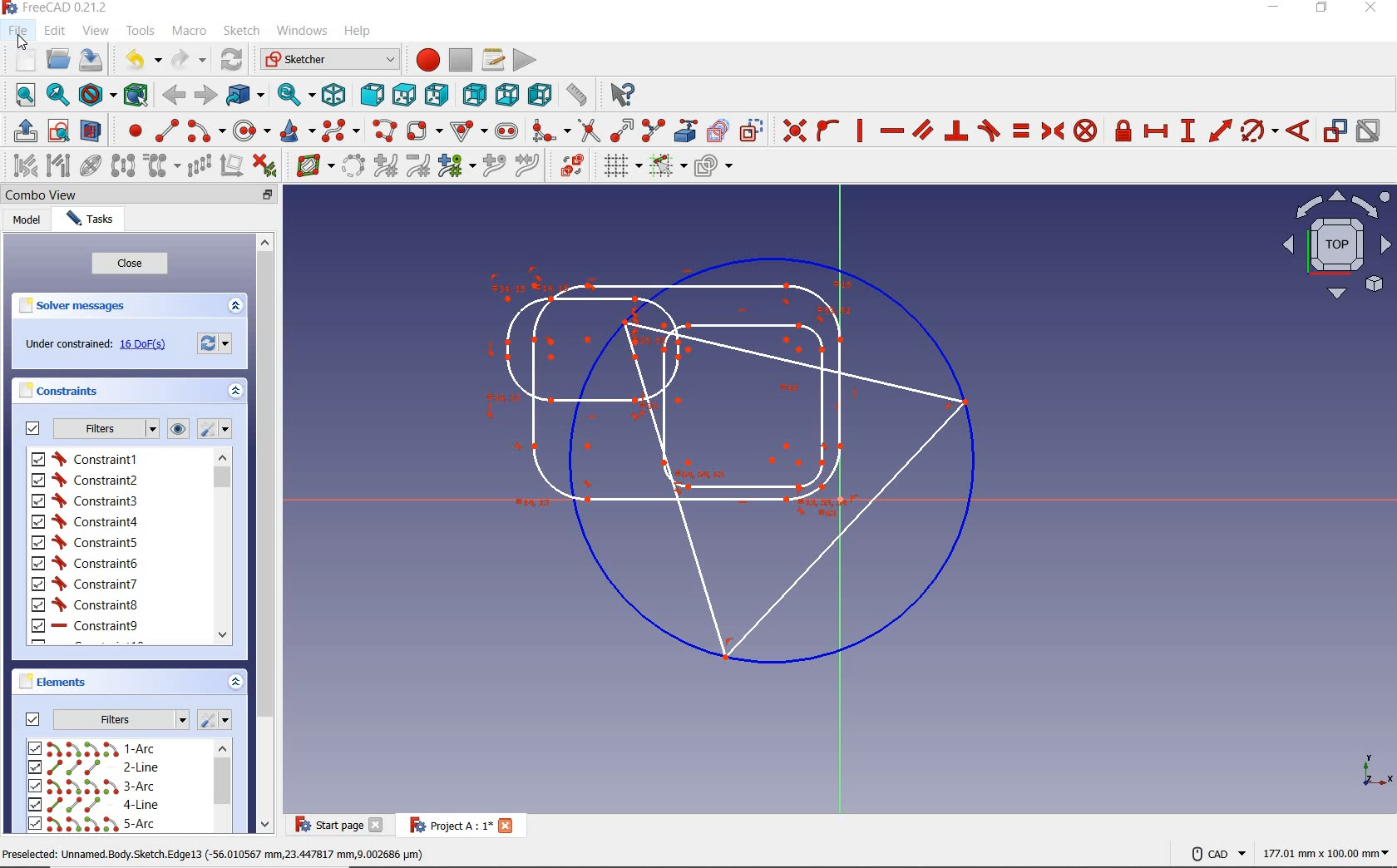 Image resolution: width=1397 pixels, height=868 pixels. I want to click on filters, so click(91, 429).